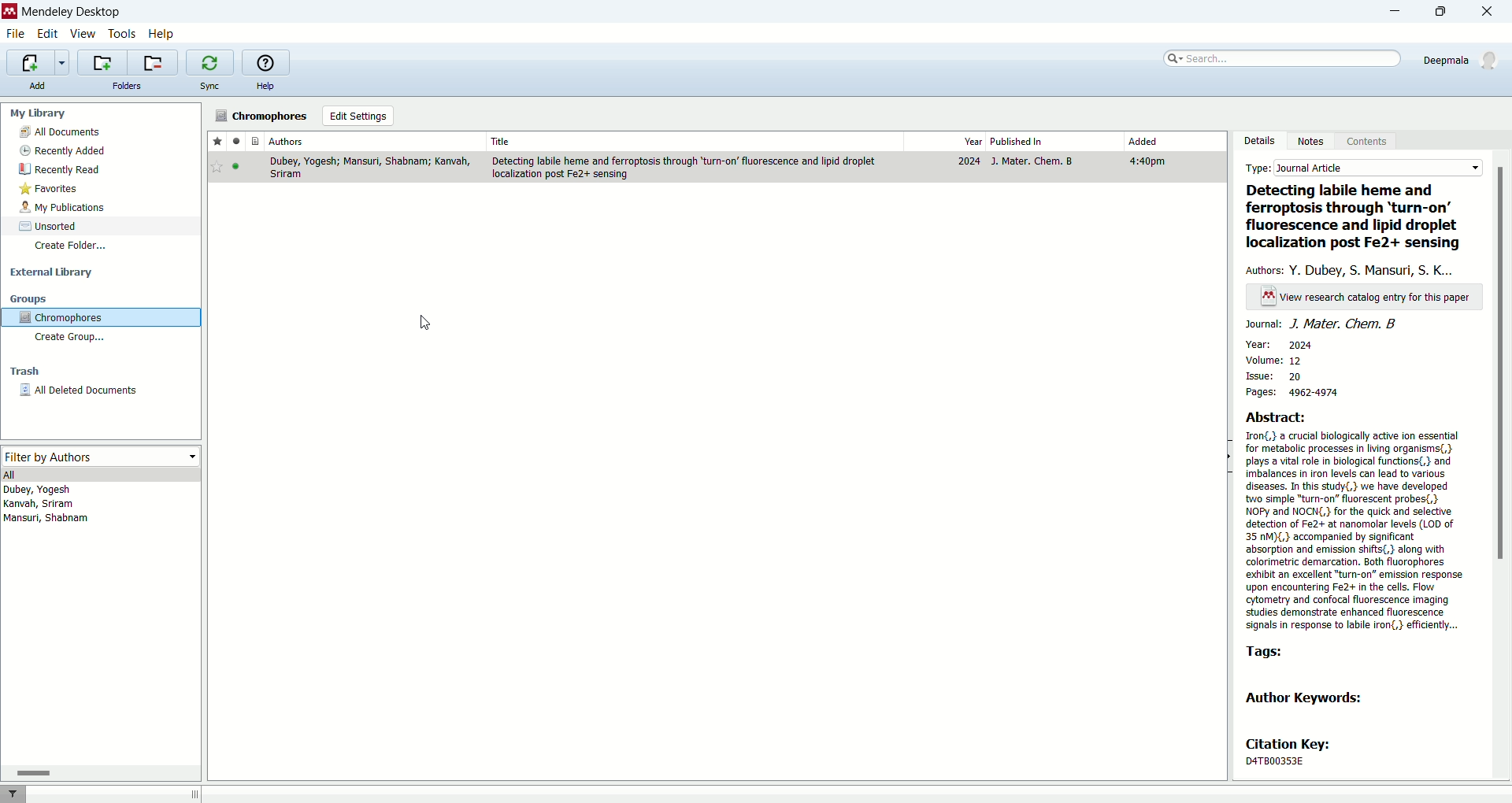 This screenshot has width=1512, height=803. I want to click on notes, so click(1314, 142).